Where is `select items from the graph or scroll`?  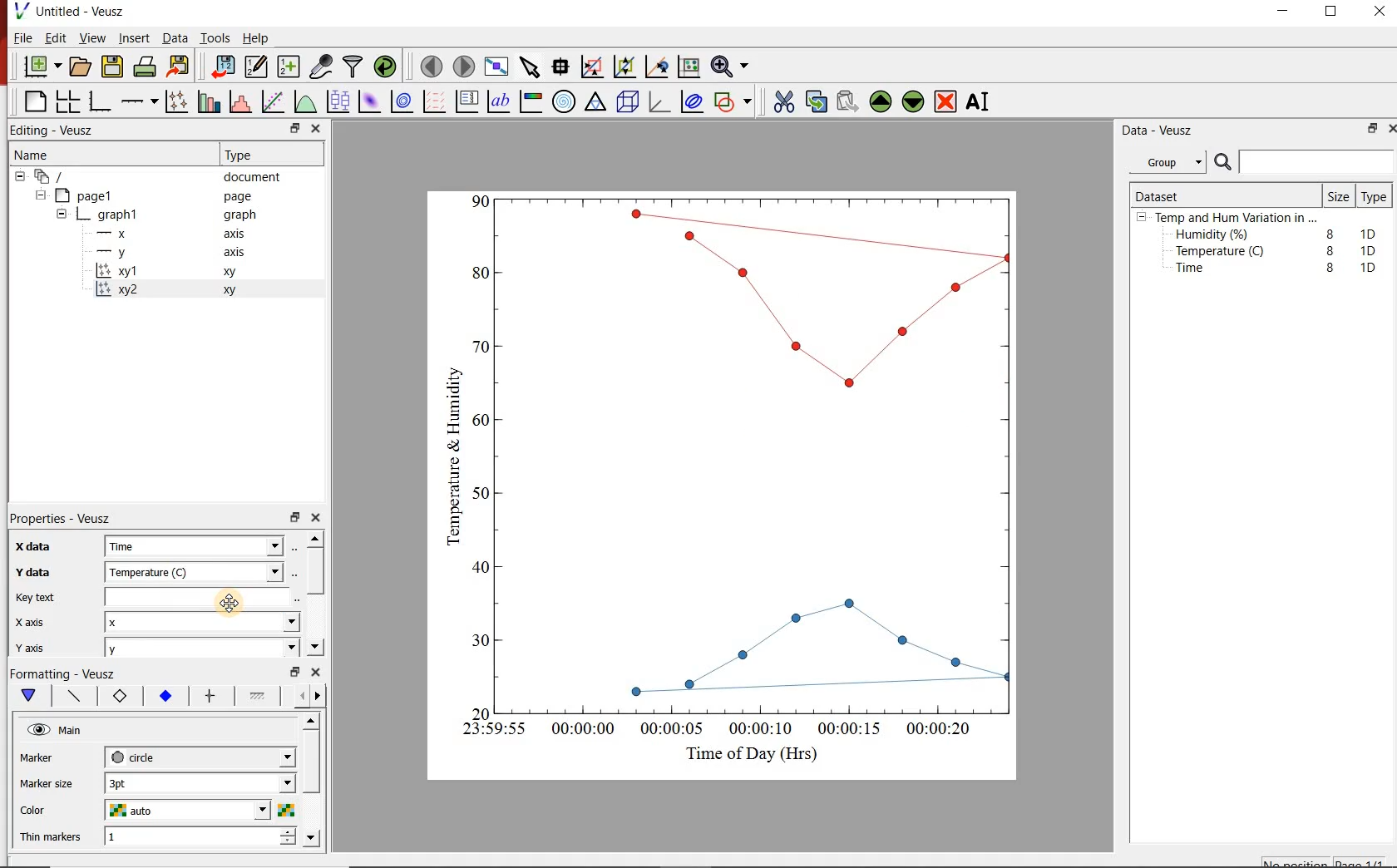
select items from the graph or scroll is located at coordinates (531, 69).